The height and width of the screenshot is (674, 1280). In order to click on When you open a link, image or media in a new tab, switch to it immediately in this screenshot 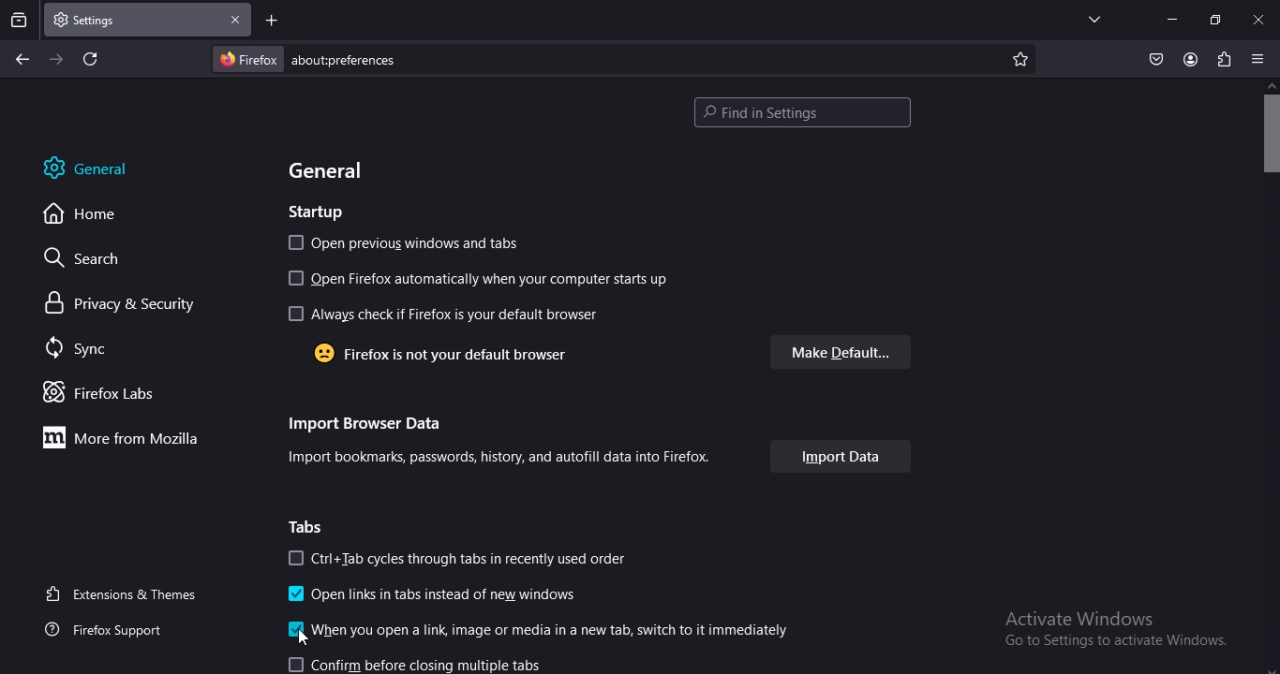, I will do `click(532, 629)`.